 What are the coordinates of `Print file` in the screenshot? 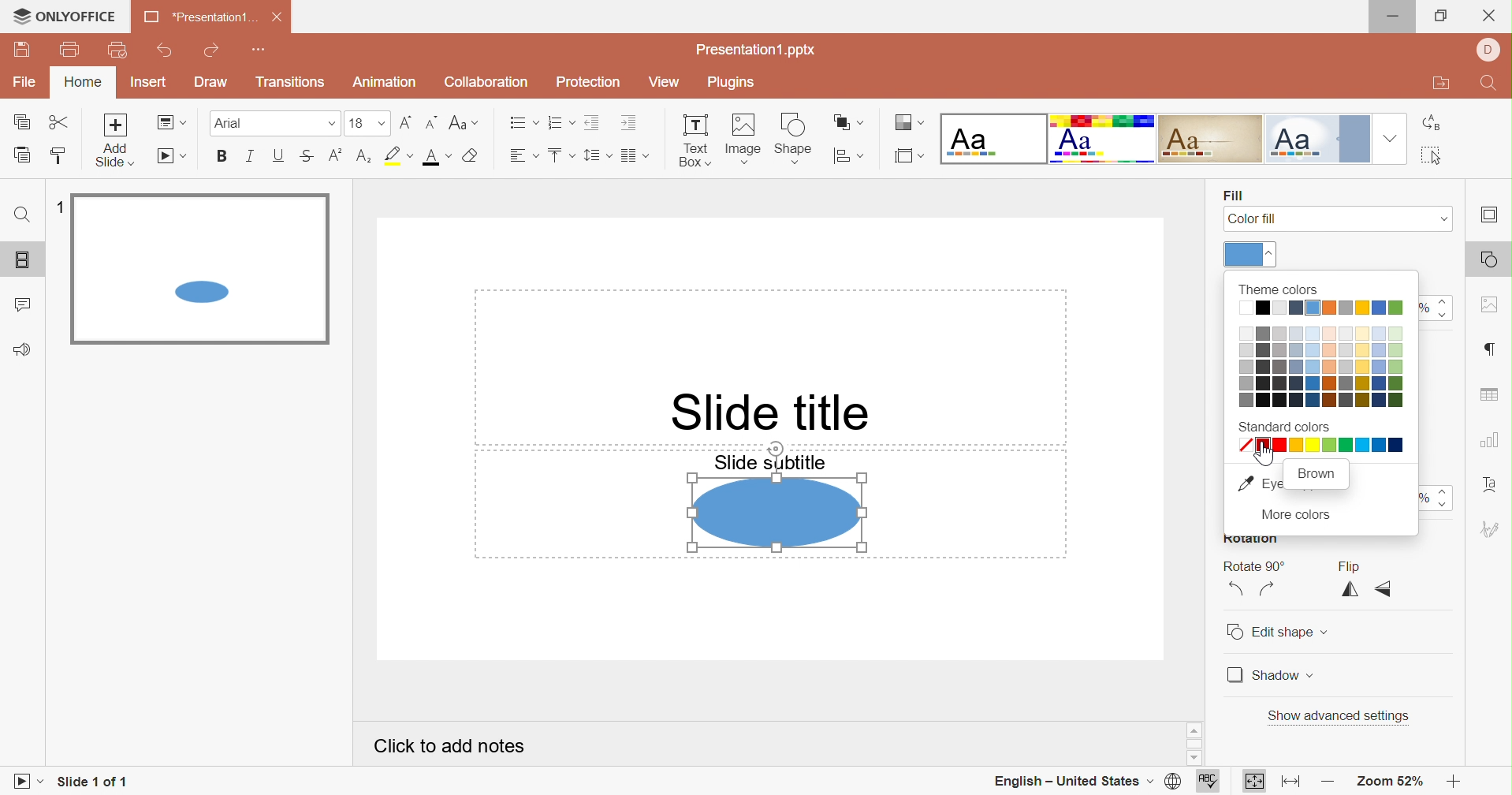 It's located at (71, 50).